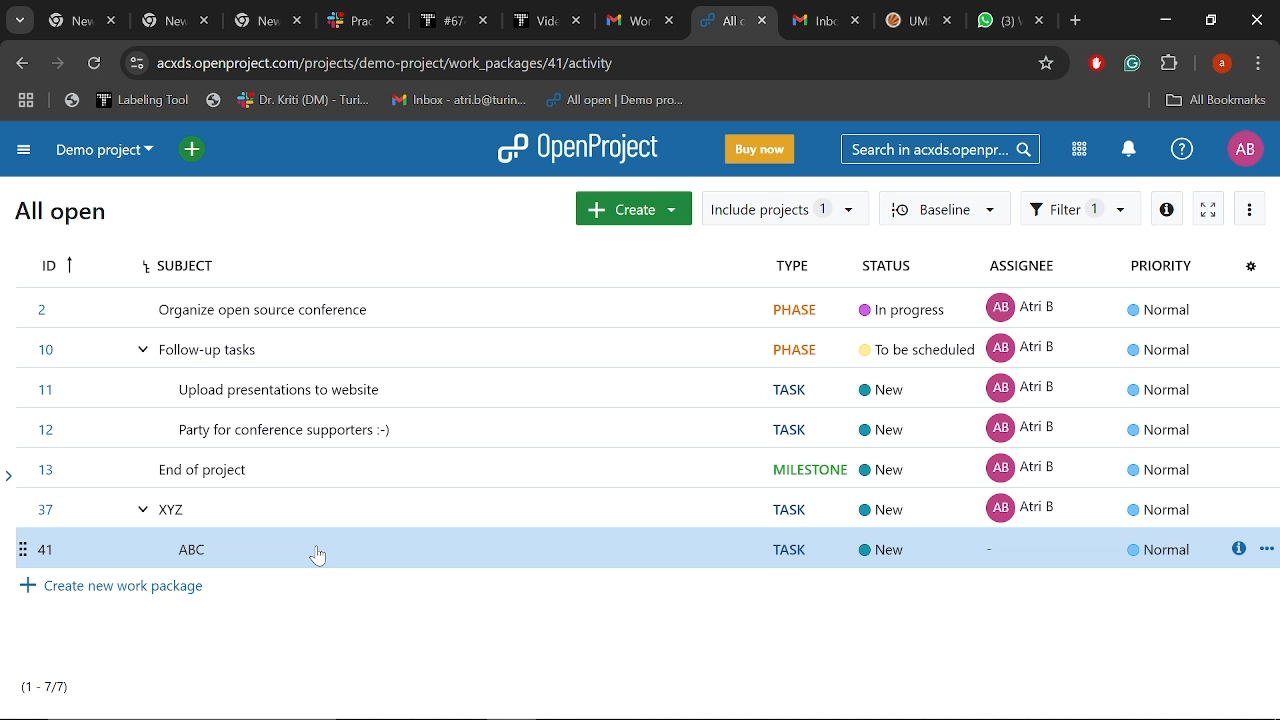  I want to click on Subject, so click(441, 266).